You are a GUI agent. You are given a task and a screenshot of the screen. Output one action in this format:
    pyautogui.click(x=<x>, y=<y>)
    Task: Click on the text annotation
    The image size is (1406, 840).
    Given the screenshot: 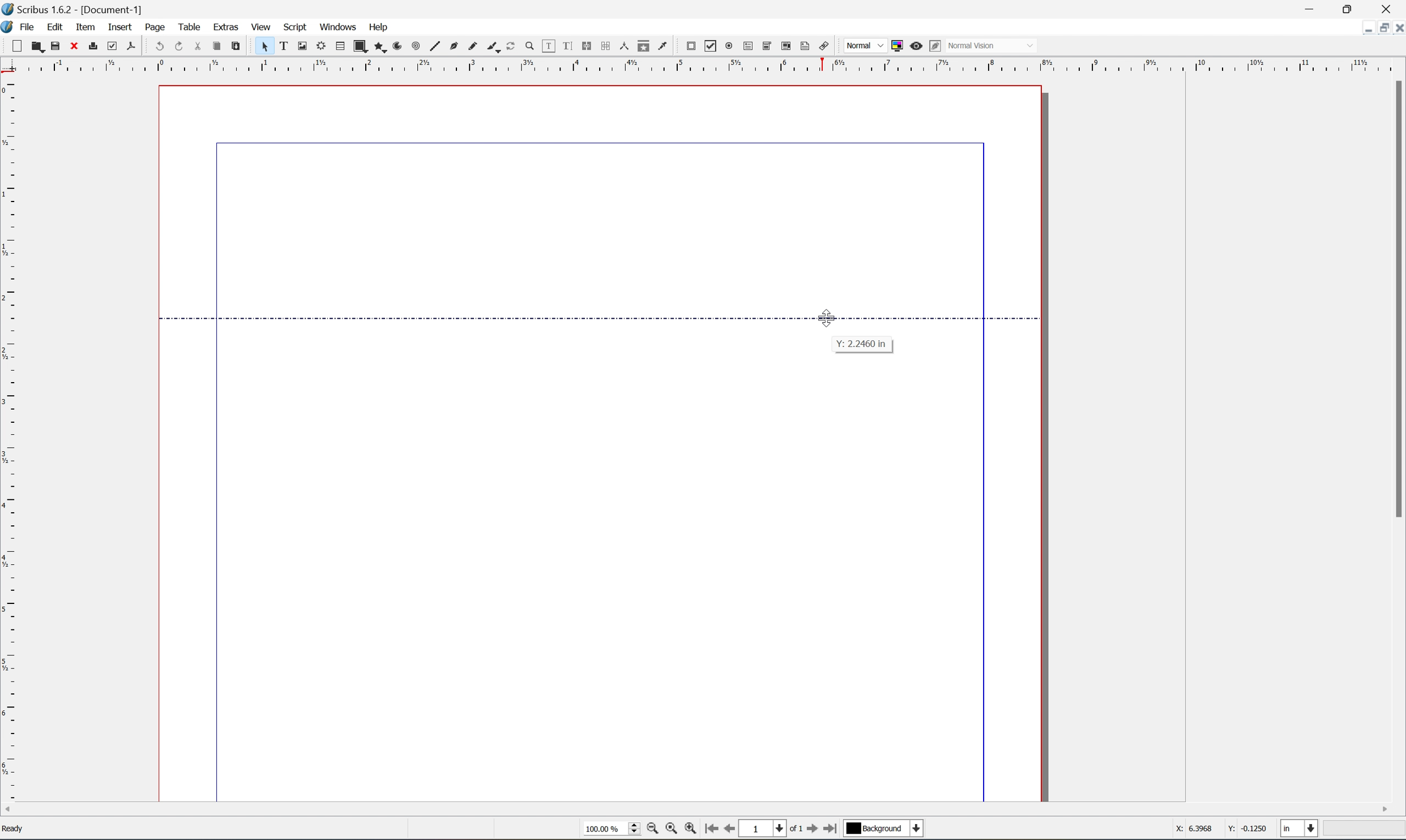 What is the action you would take?
    pyautogui.click(x=806, y=46)
    